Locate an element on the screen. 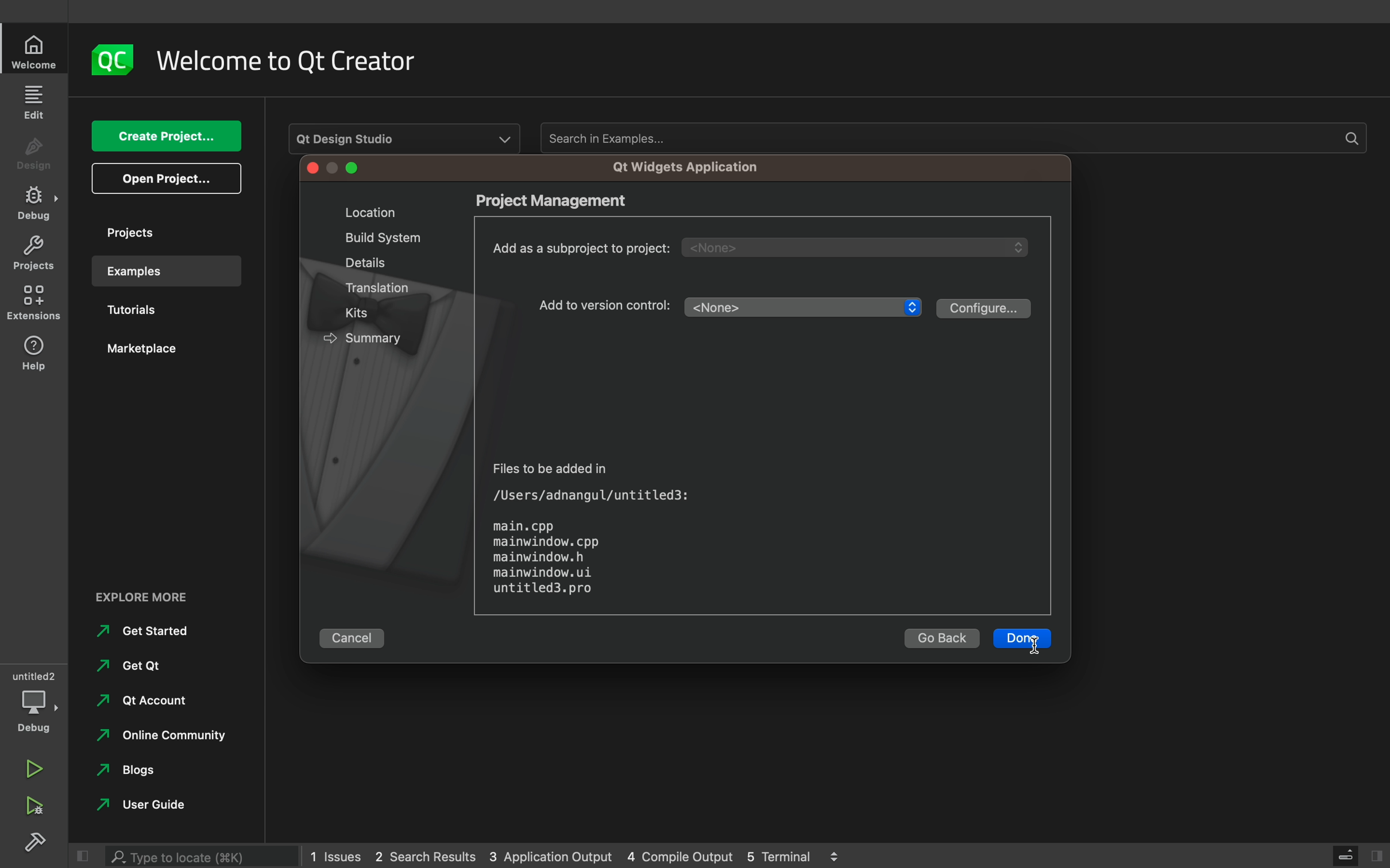 This screenshot has height=868, width=1390. edit is located at coordinates (36, 101).